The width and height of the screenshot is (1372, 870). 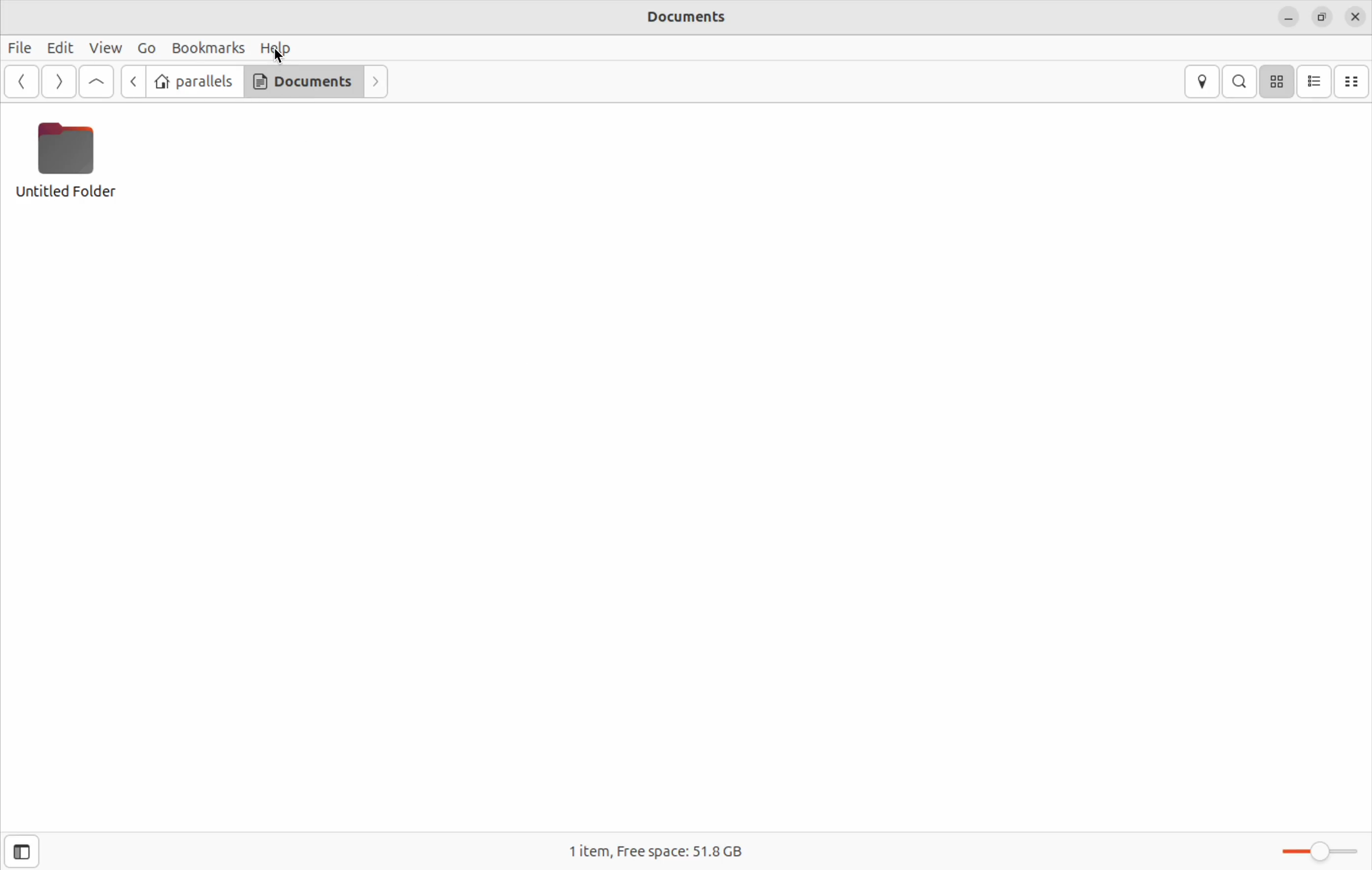 What do you see at coordinates (1199, 81) in the screenshot?
I see `location` at bounding box center [1199, 81].